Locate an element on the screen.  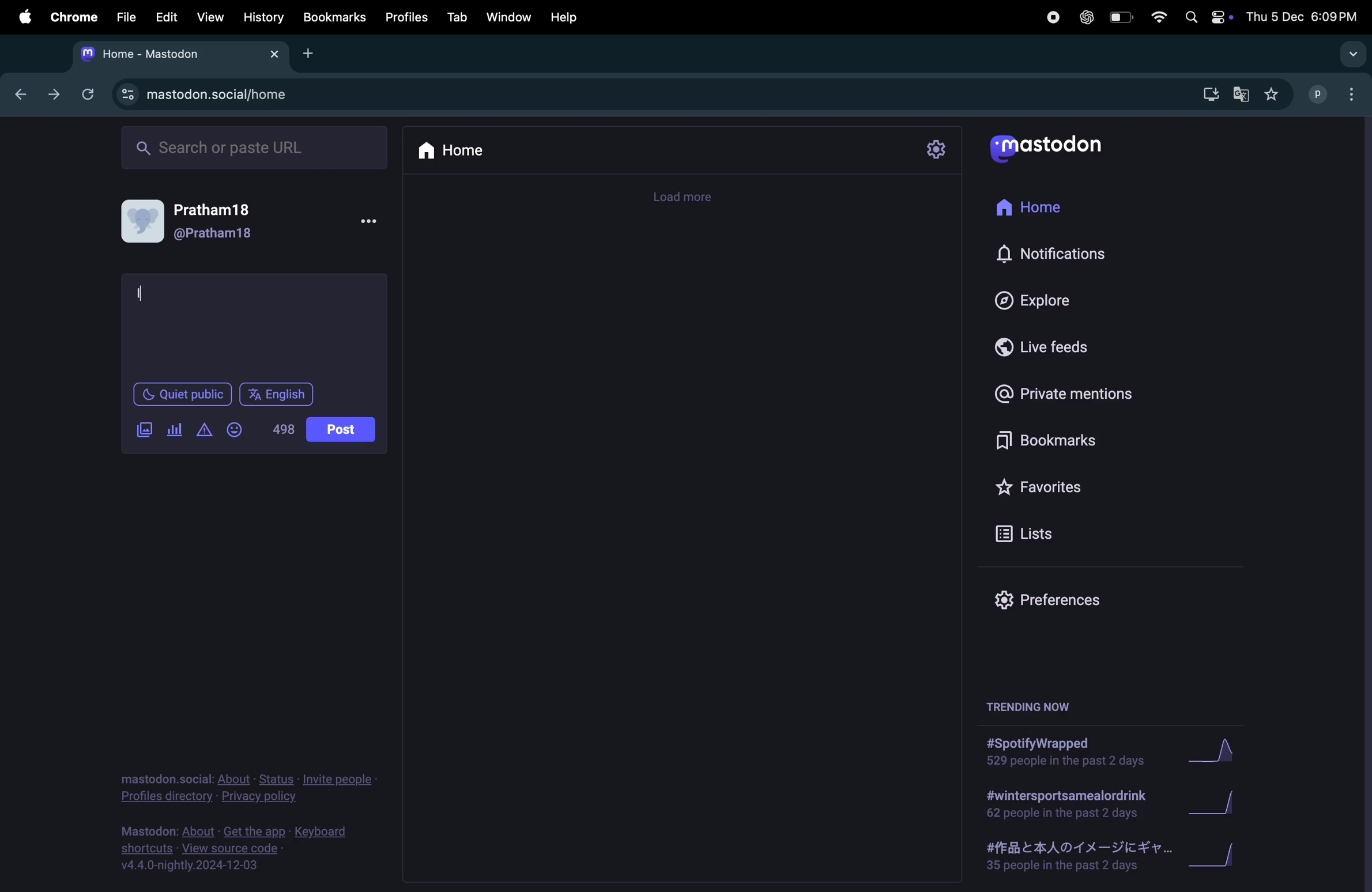
search bar is located at coordinates (252, 146).